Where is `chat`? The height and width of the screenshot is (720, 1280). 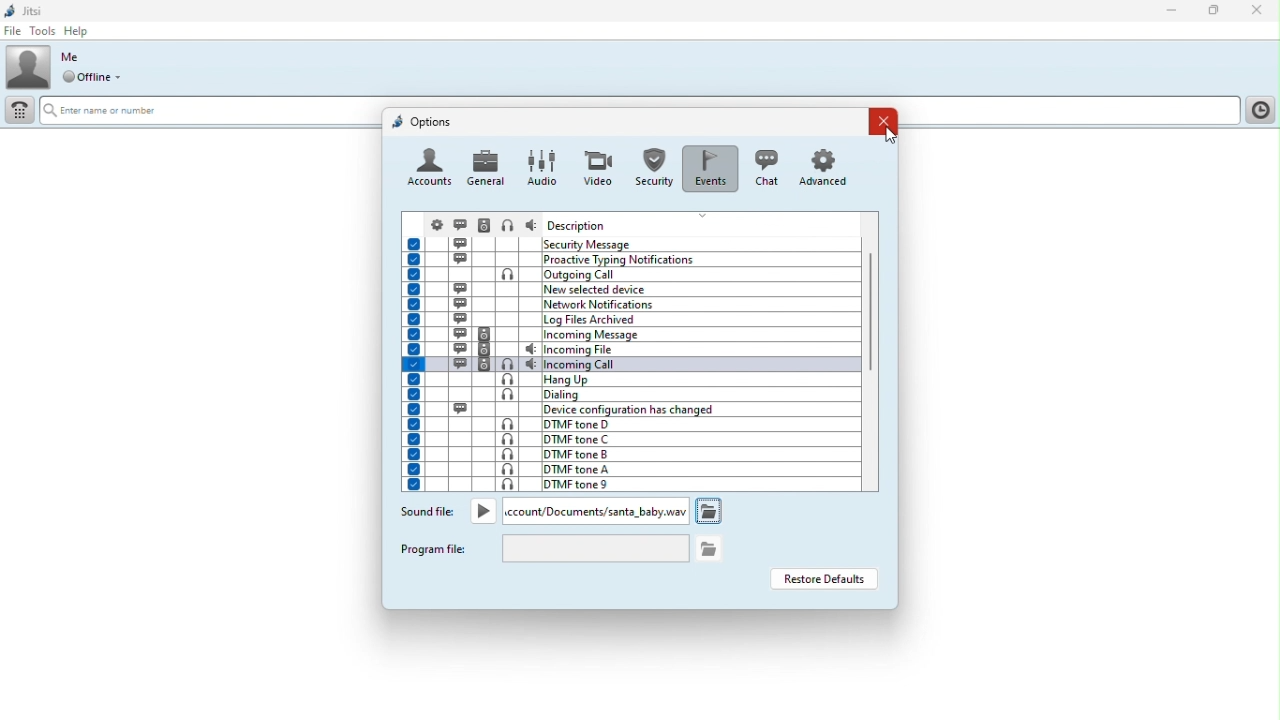 chat is located at coordinates (770, 169).